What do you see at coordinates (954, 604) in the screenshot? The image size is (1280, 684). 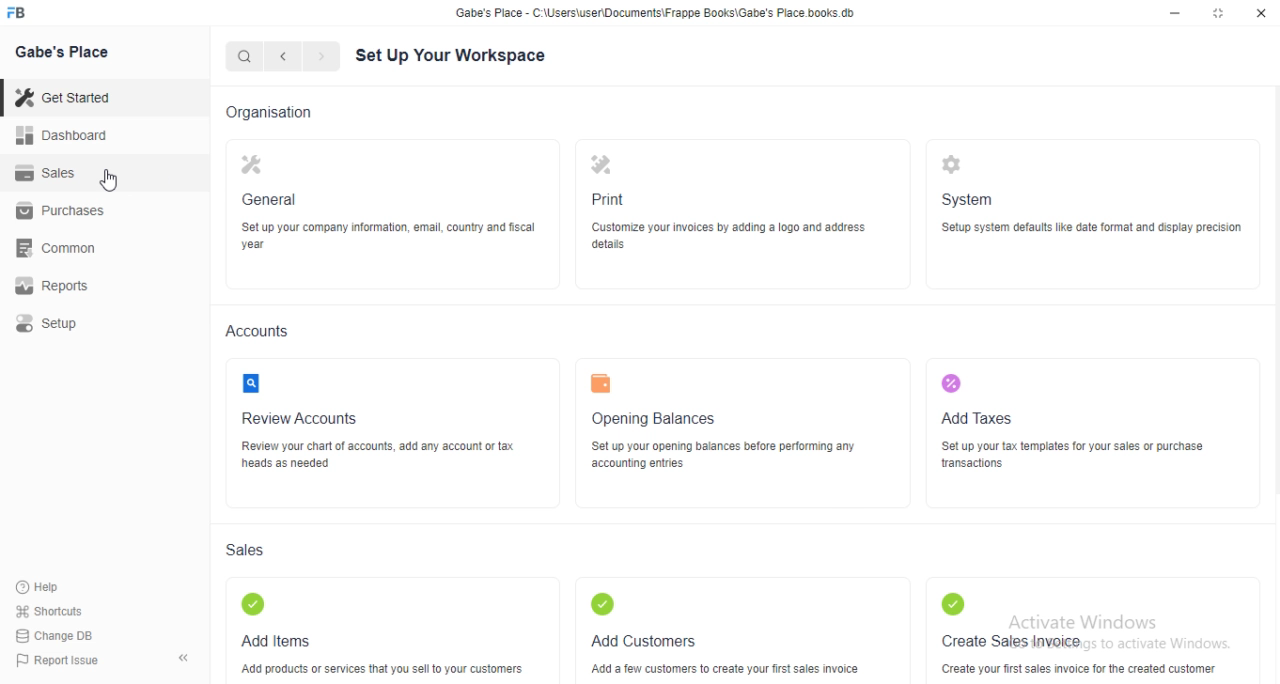 I see `done icon` at bounding box center [954, 604].